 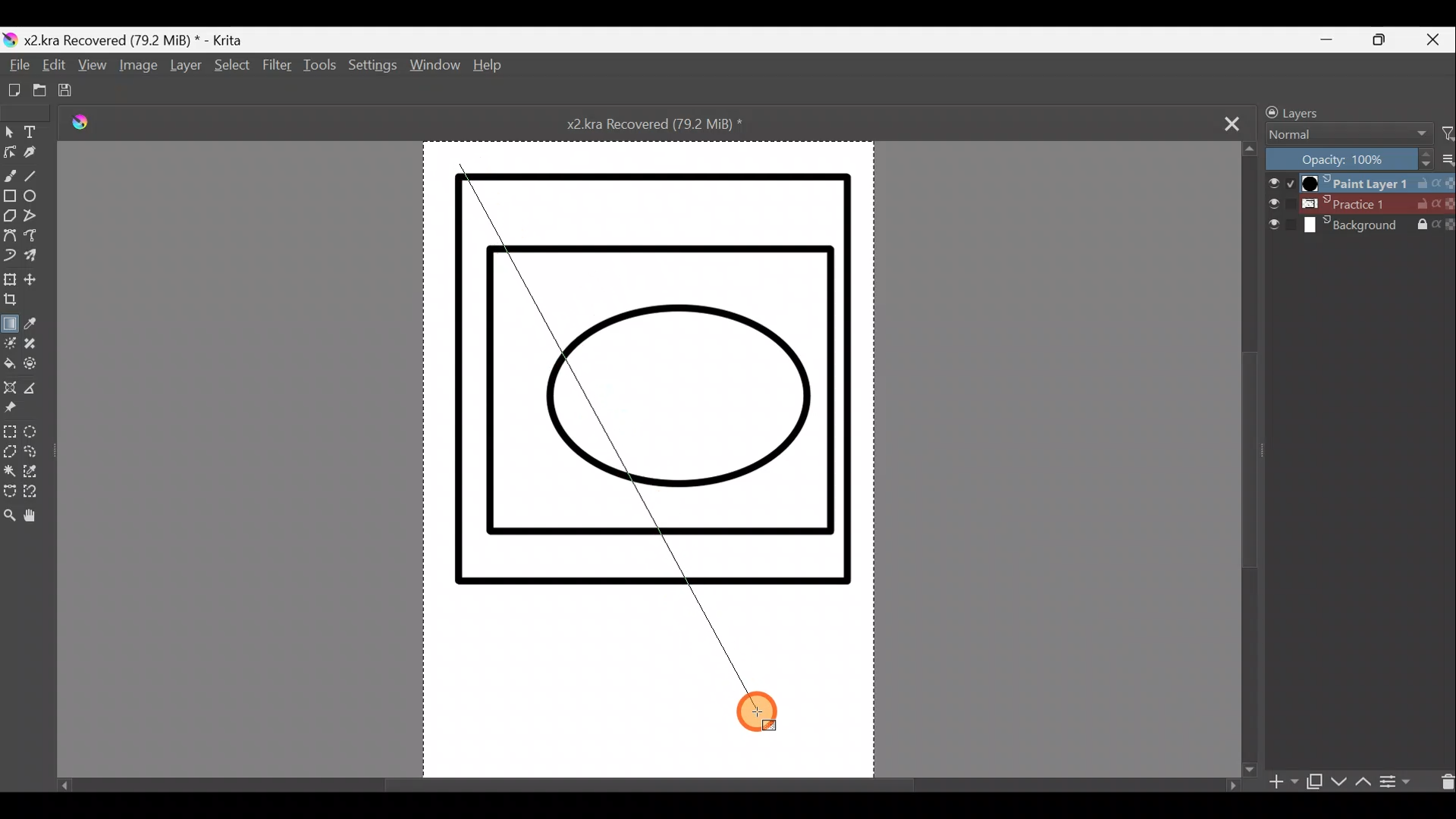 I want to click on Opacity level, so click(x=1359, y=158).